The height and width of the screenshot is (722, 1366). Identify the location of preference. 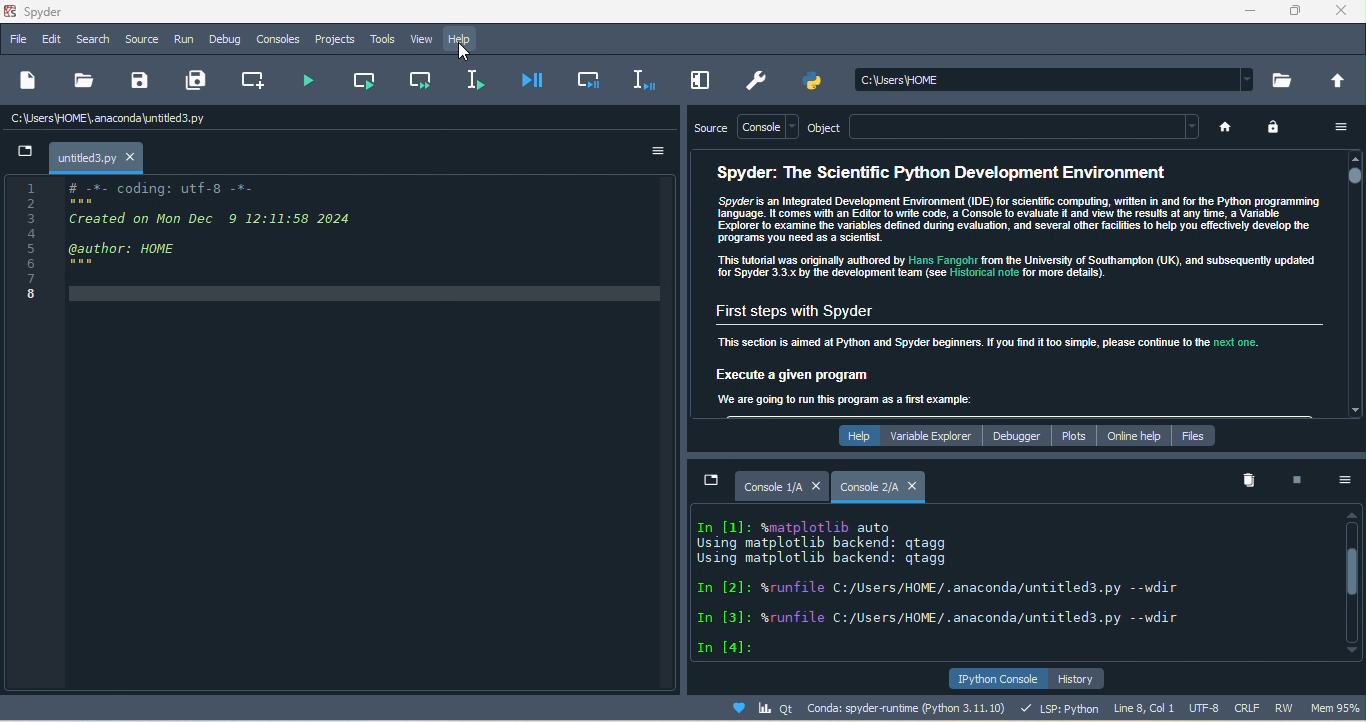
(759, 80).